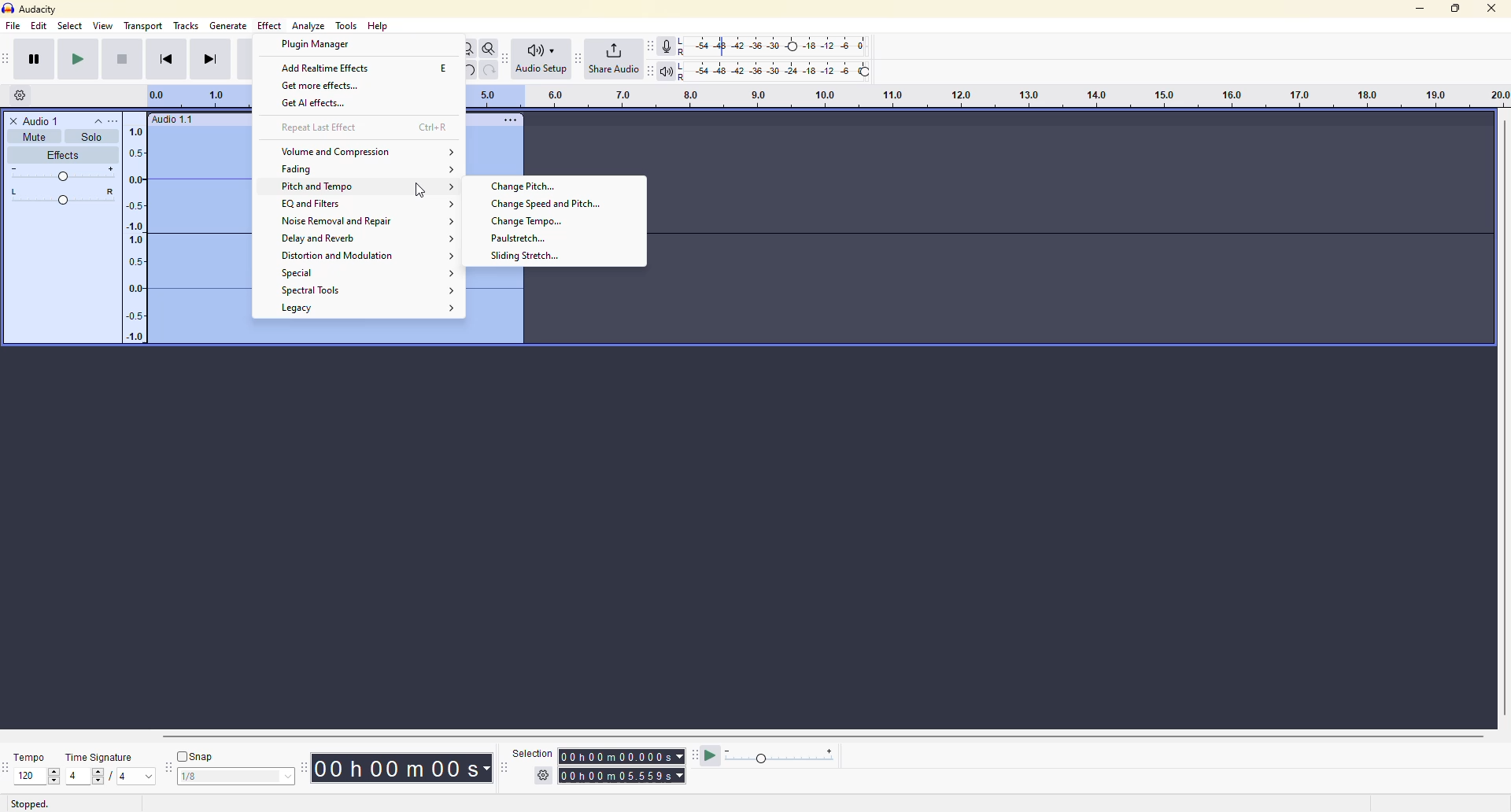 The image size is (1511, 812). I want to click on 120, so click(28, 775).